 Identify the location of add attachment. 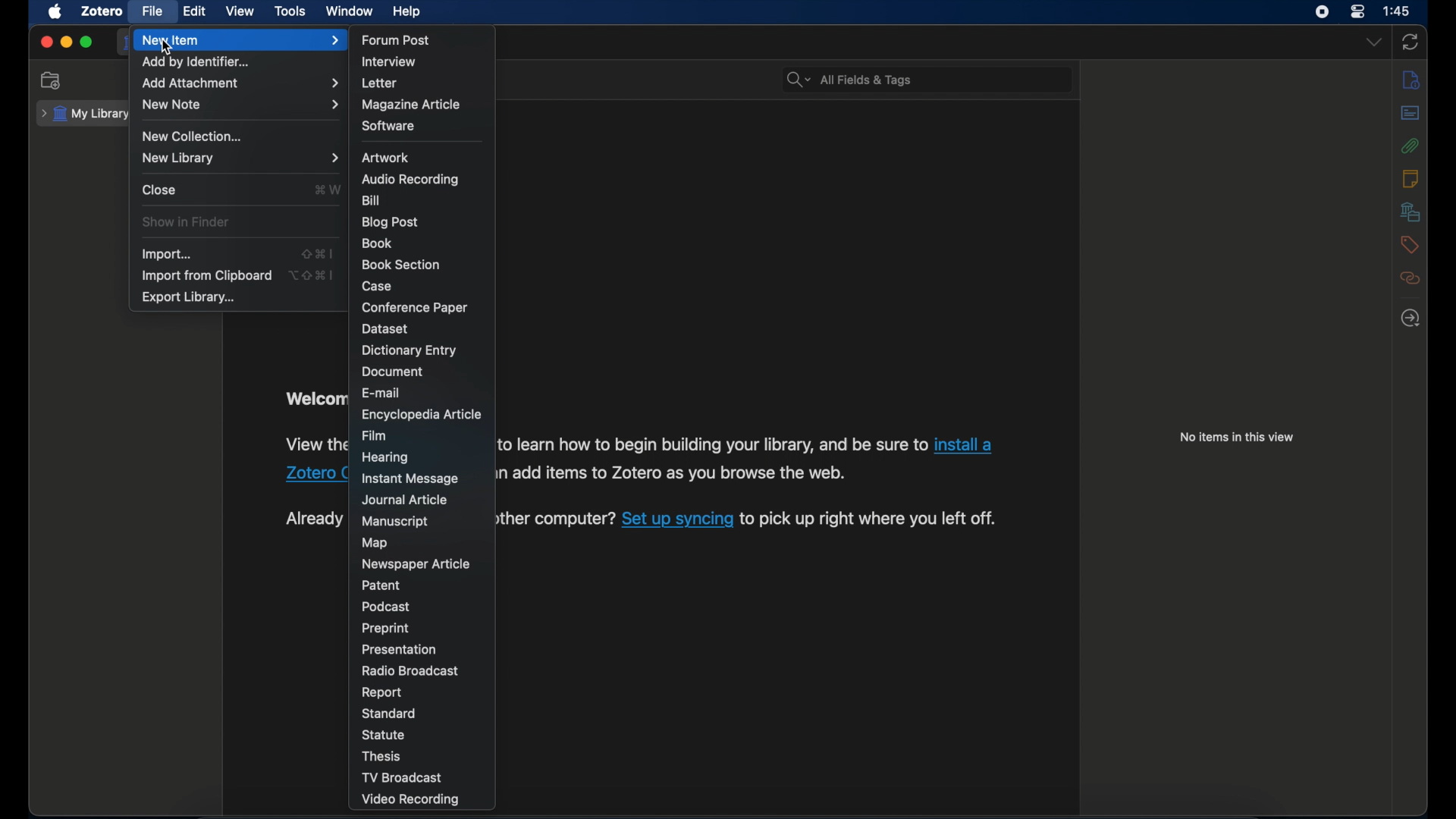
(240, 83).